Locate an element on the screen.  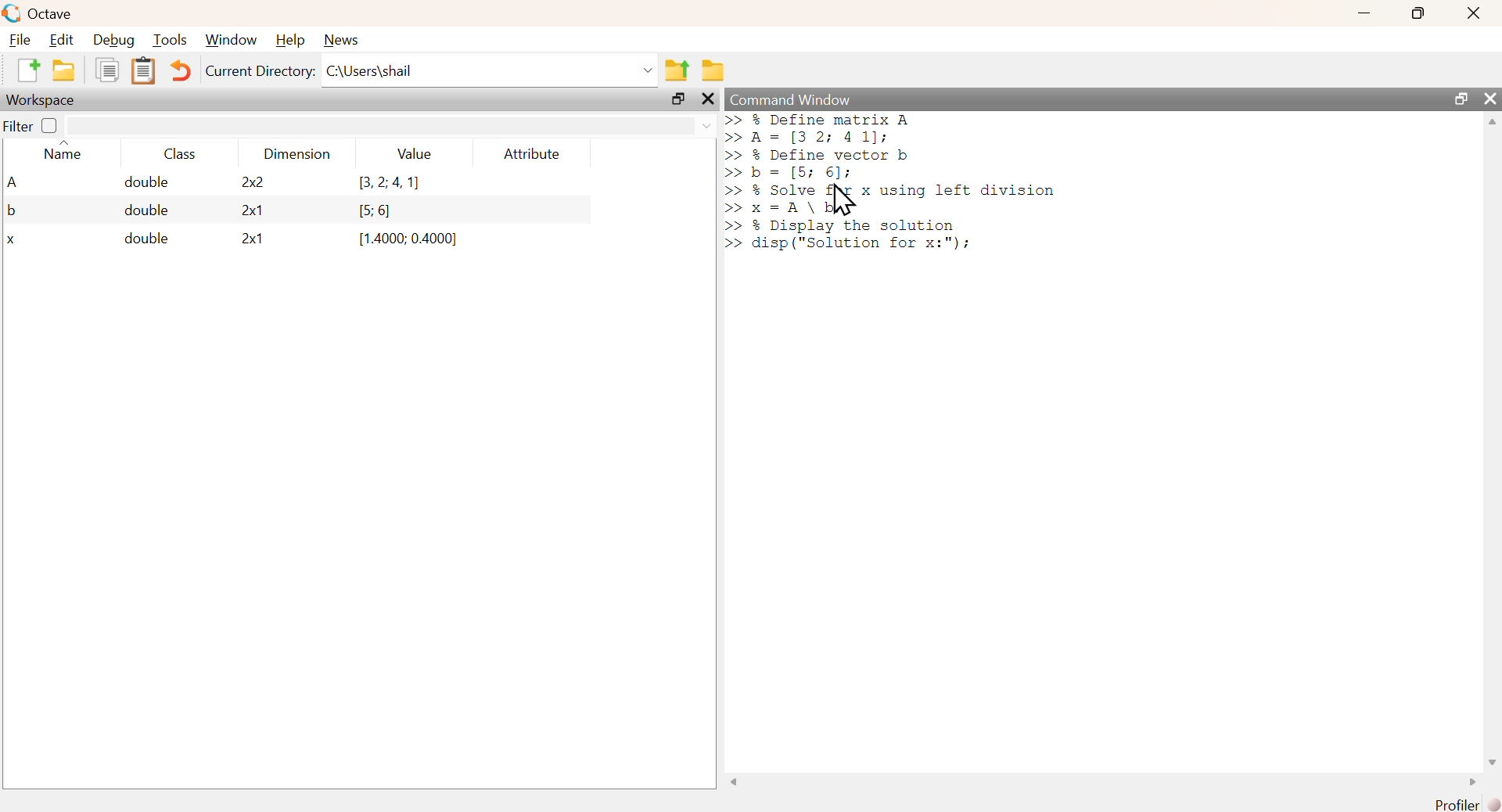
maximize is located at coordinates (1459, 99).